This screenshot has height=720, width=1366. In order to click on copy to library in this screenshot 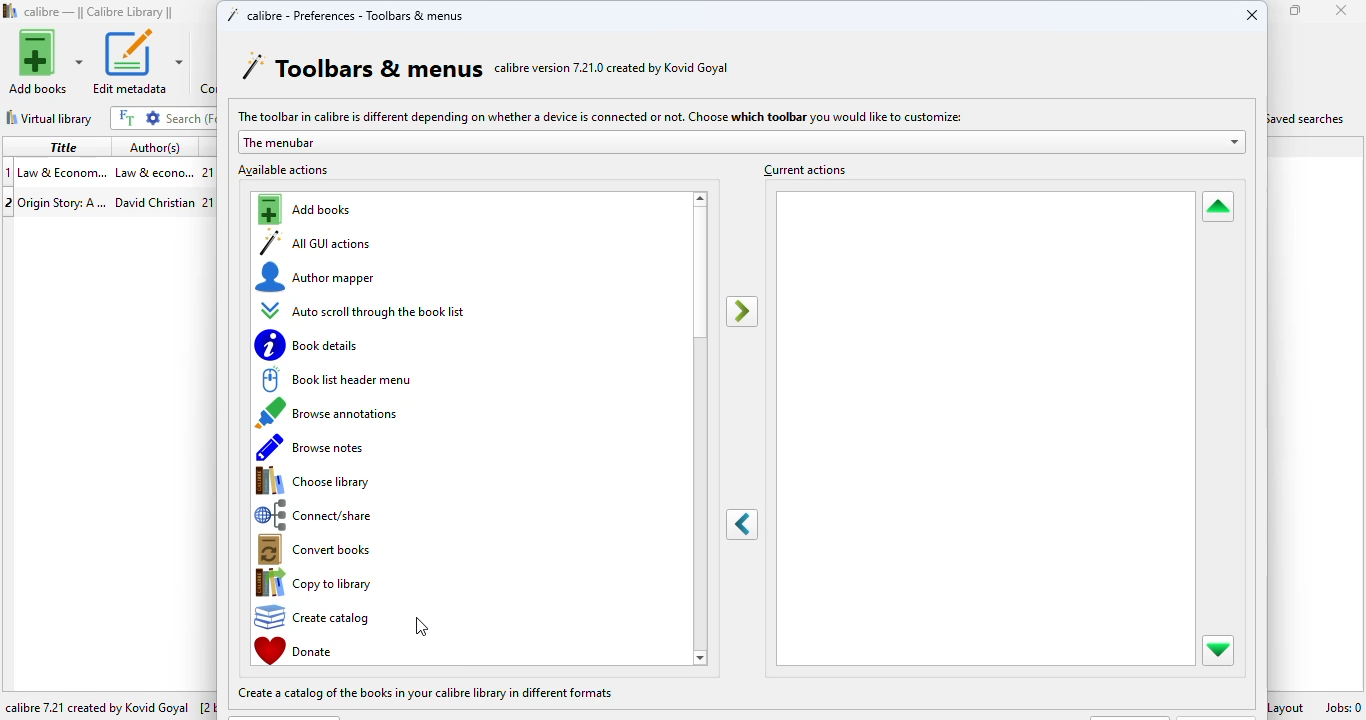, I will do `click(316, 583)`.